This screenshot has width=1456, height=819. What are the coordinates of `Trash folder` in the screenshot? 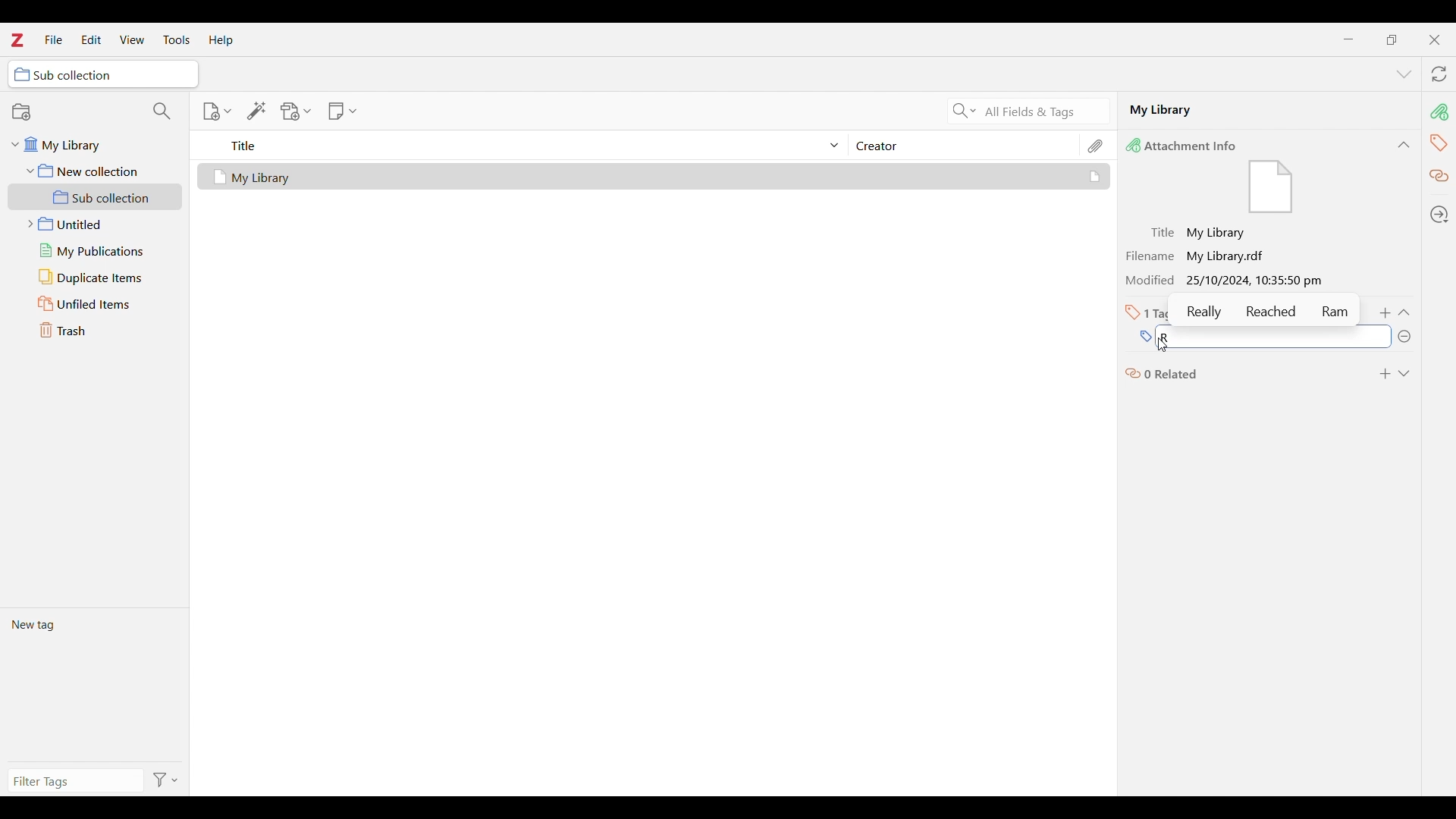 It's located at (95, 330).